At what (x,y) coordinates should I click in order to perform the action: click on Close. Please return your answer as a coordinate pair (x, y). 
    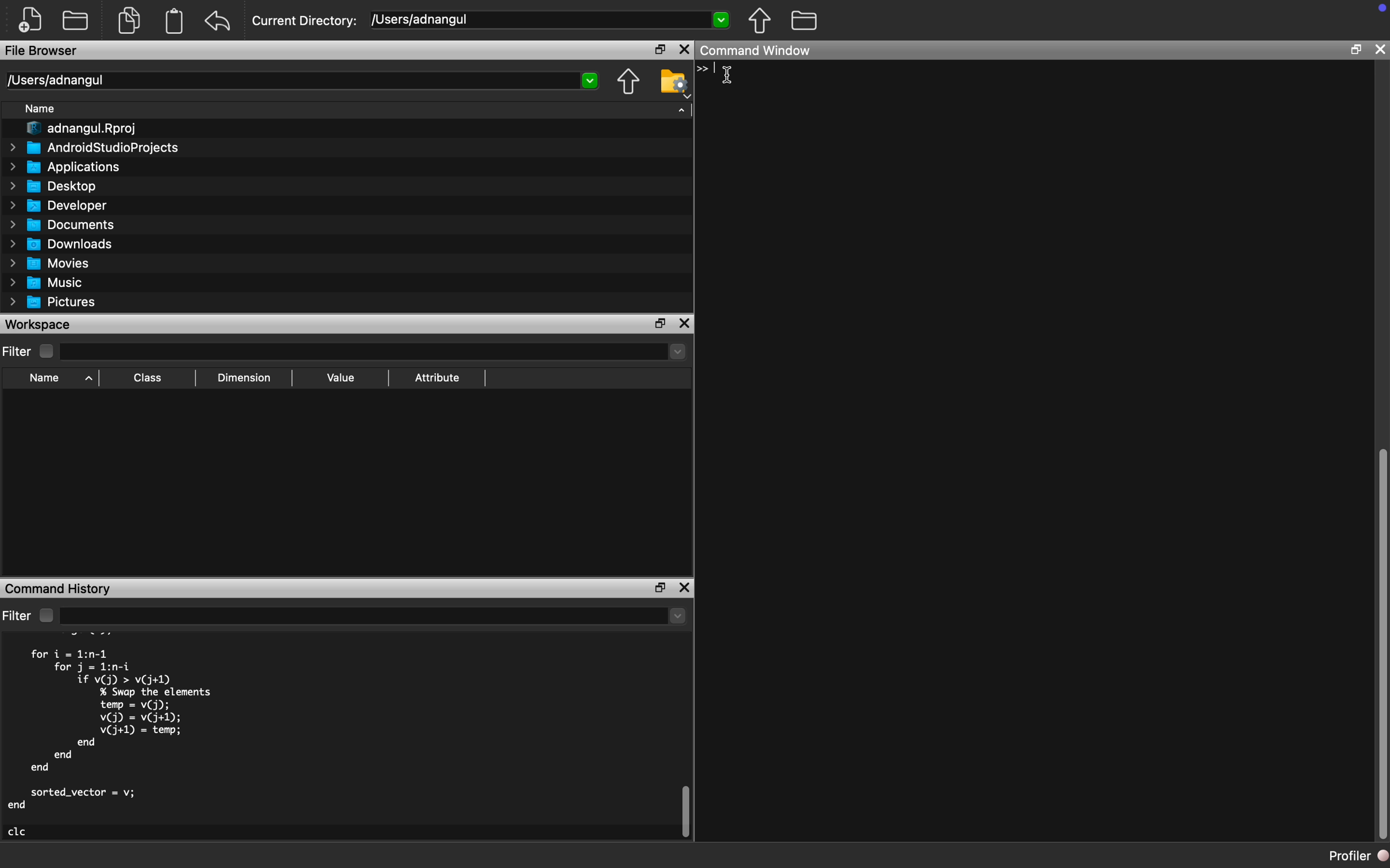
    Looking at the image, I should click on (685, 50).